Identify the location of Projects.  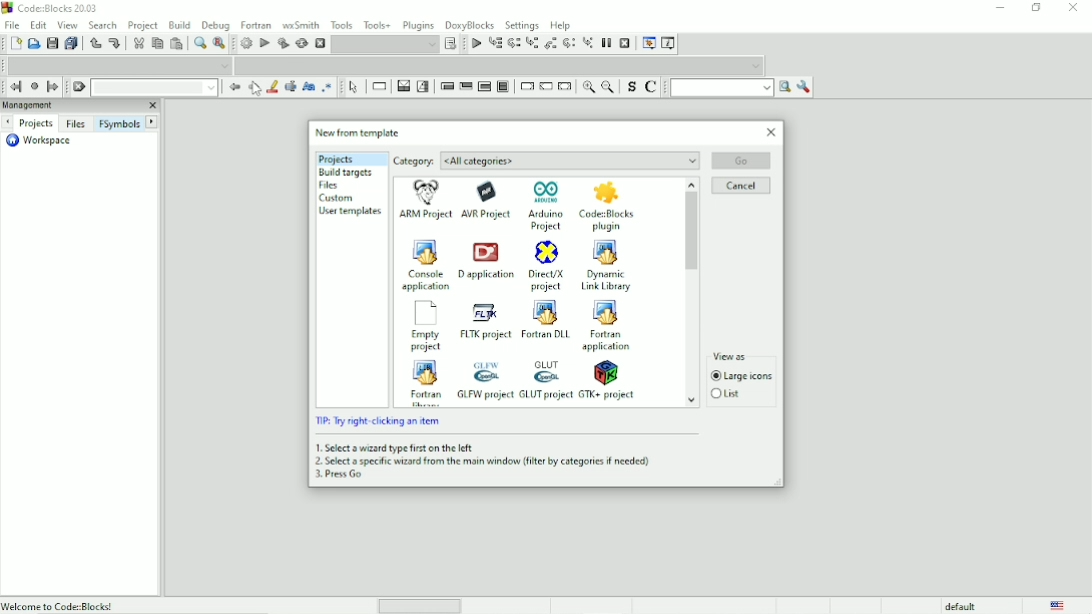
(335, 159).